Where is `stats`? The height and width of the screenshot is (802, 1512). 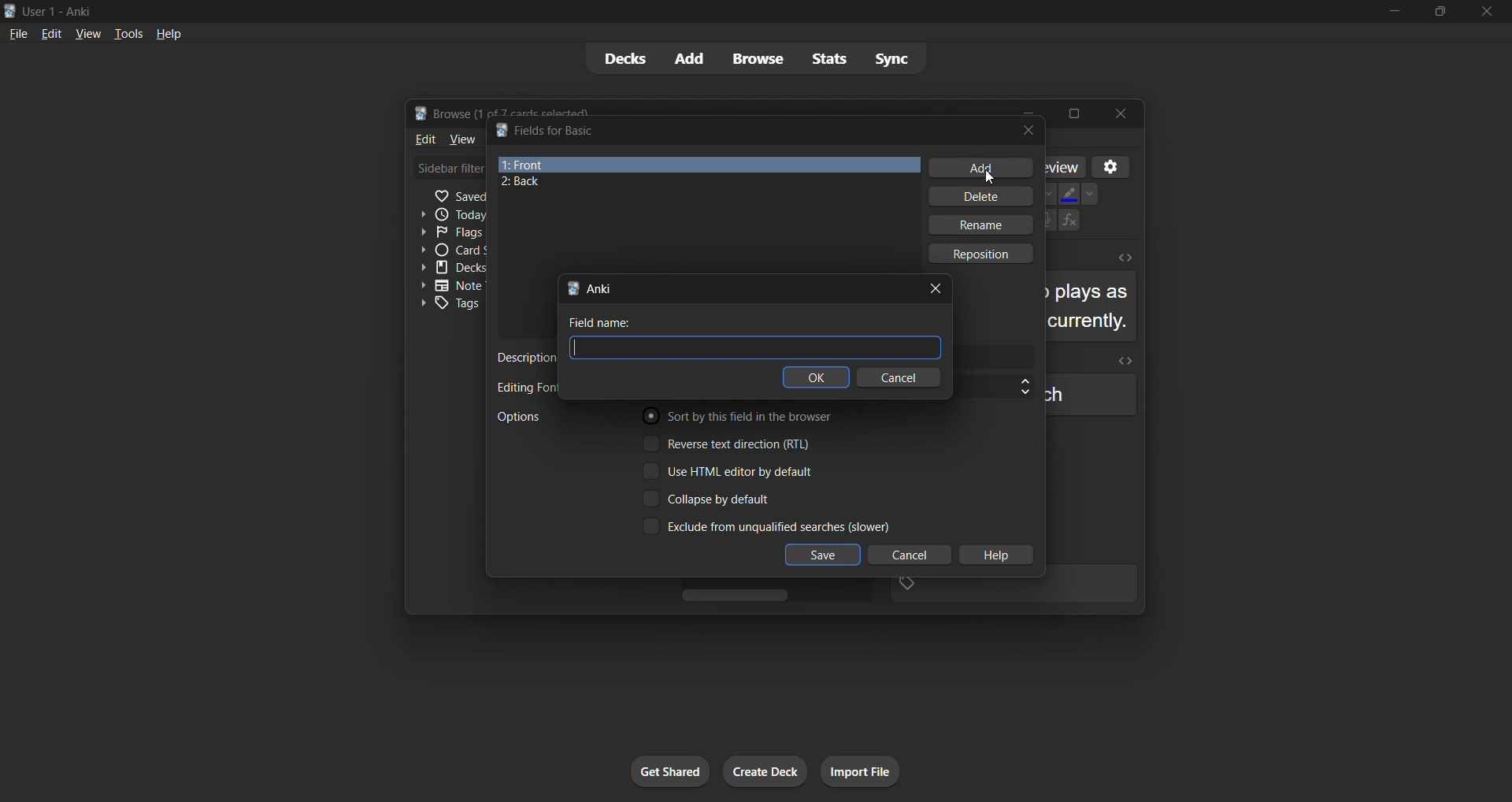 stats is located at coordinates (828, 60).